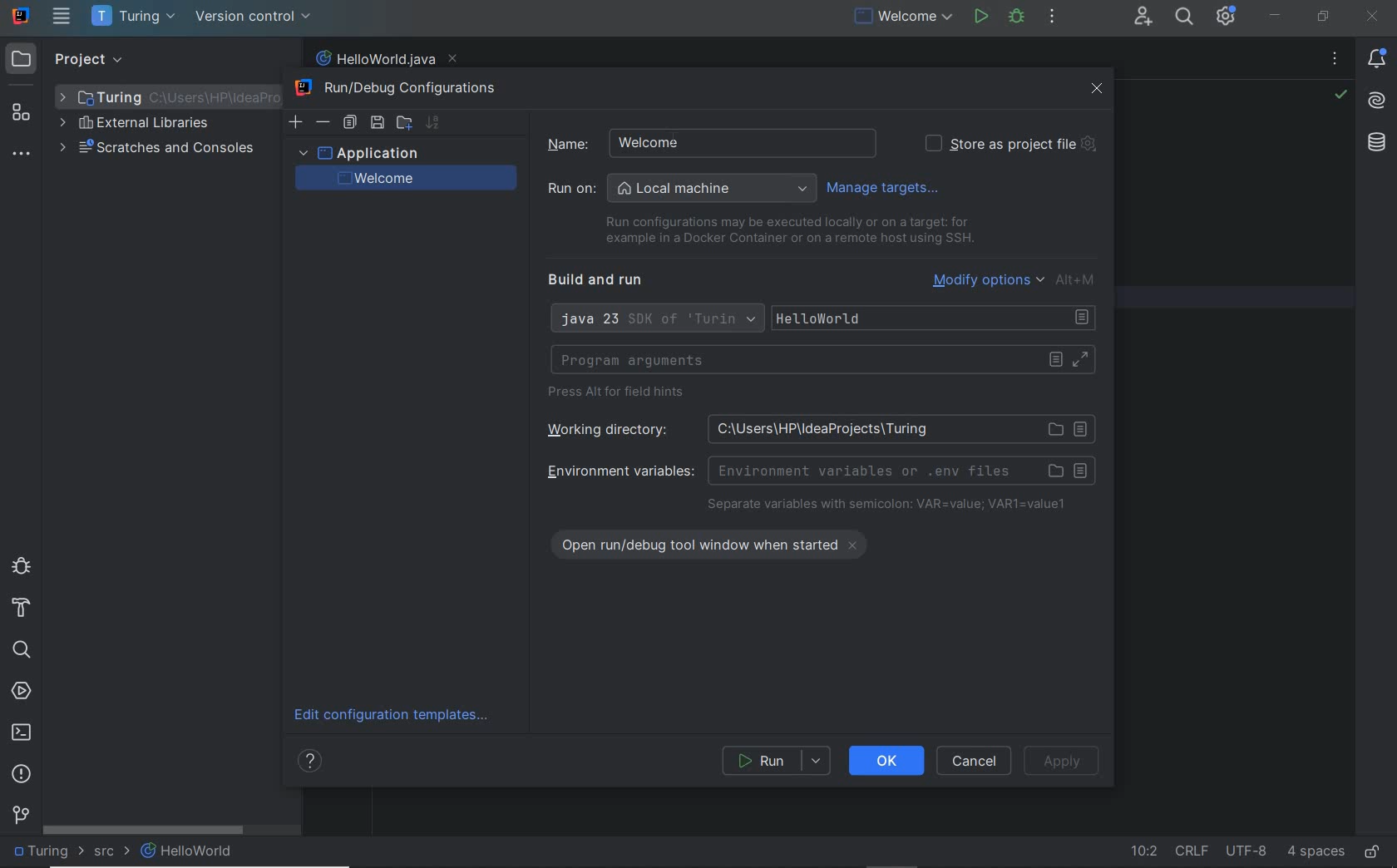 This screenshot has width=1397, height=868. Describe the element at coordinates (111, 854) in the screenshot. I see `src` at that location.